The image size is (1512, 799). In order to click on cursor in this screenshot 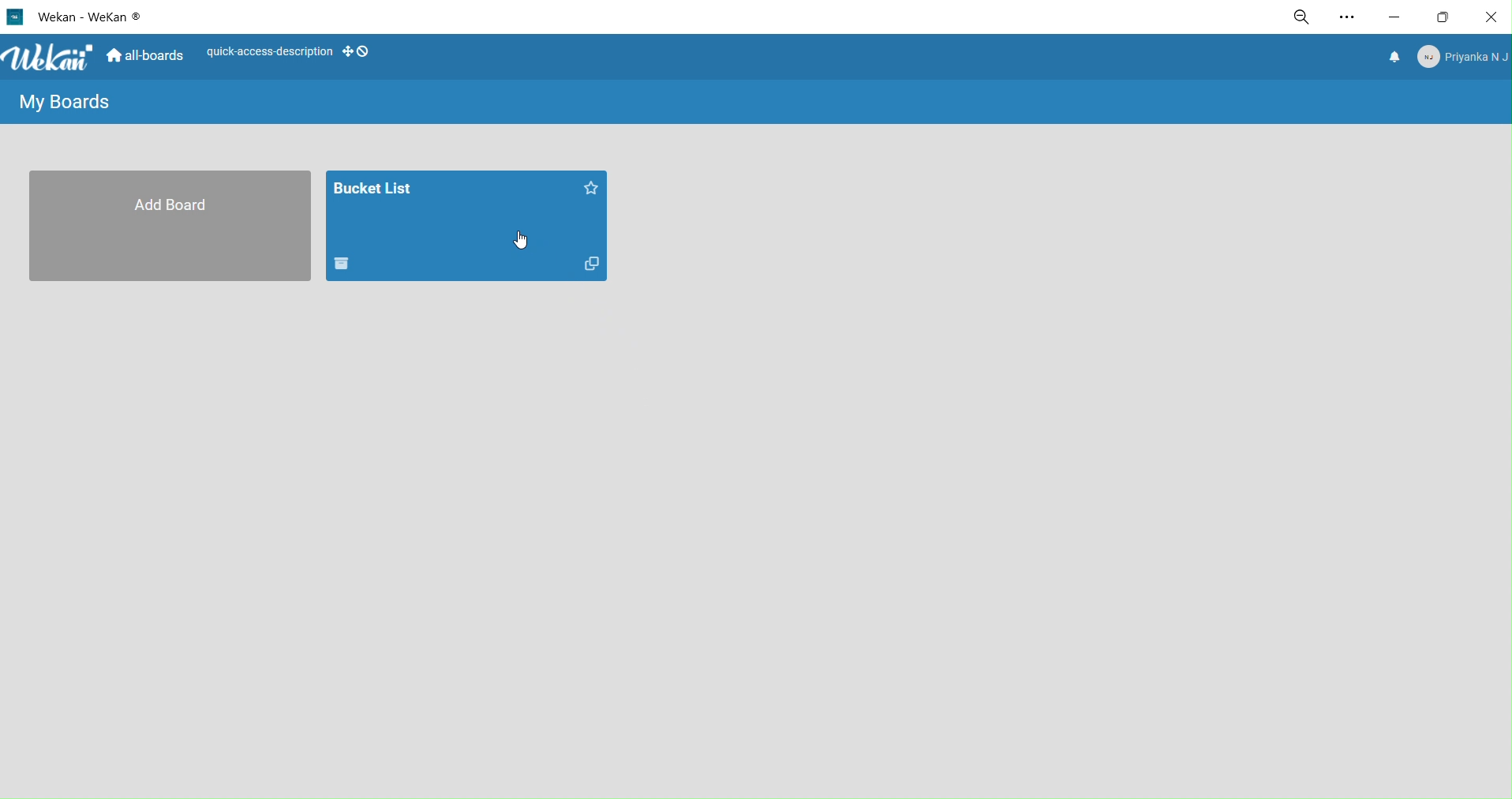, I will do `click(522, 239)`.